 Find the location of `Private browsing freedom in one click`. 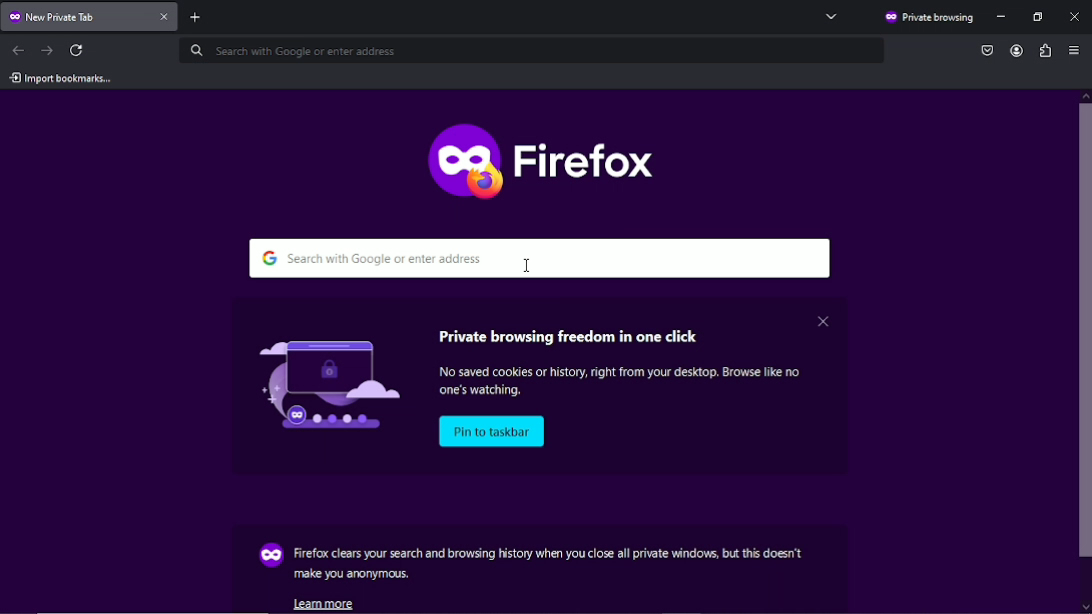

Private browsing freedom in one click is located at coordinates (572, 333).